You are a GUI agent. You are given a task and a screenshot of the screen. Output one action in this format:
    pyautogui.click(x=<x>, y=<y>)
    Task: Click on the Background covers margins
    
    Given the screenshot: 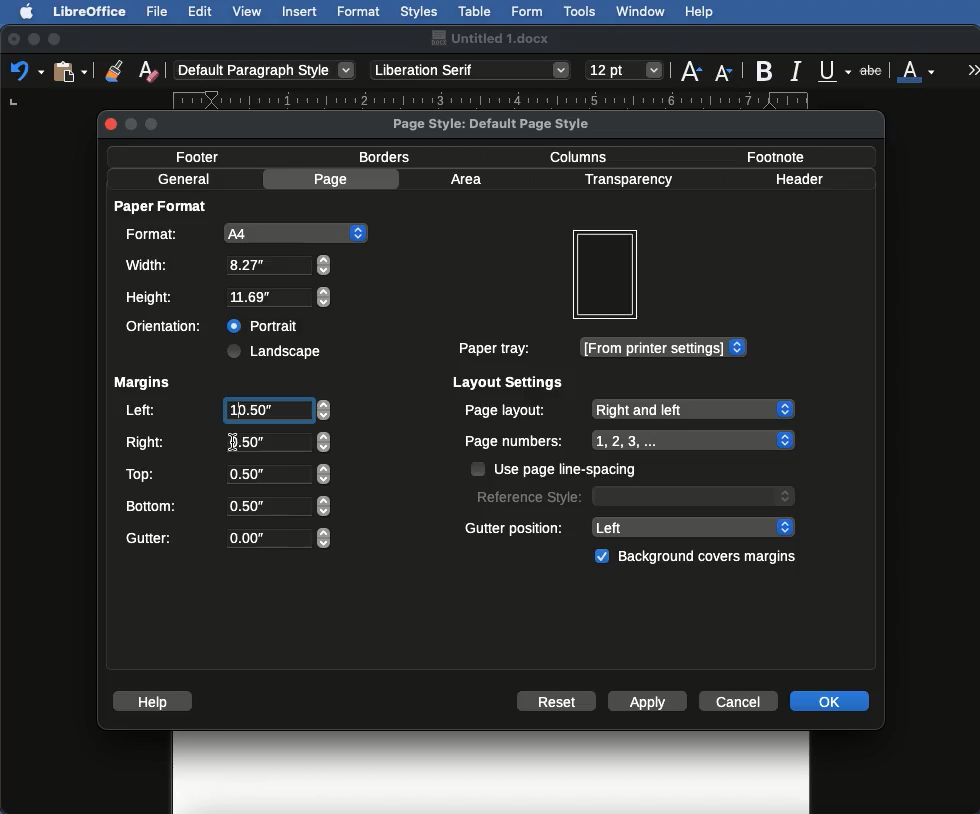 What is the action you would take?
    pyautogui.click(x=699, y=557)
    